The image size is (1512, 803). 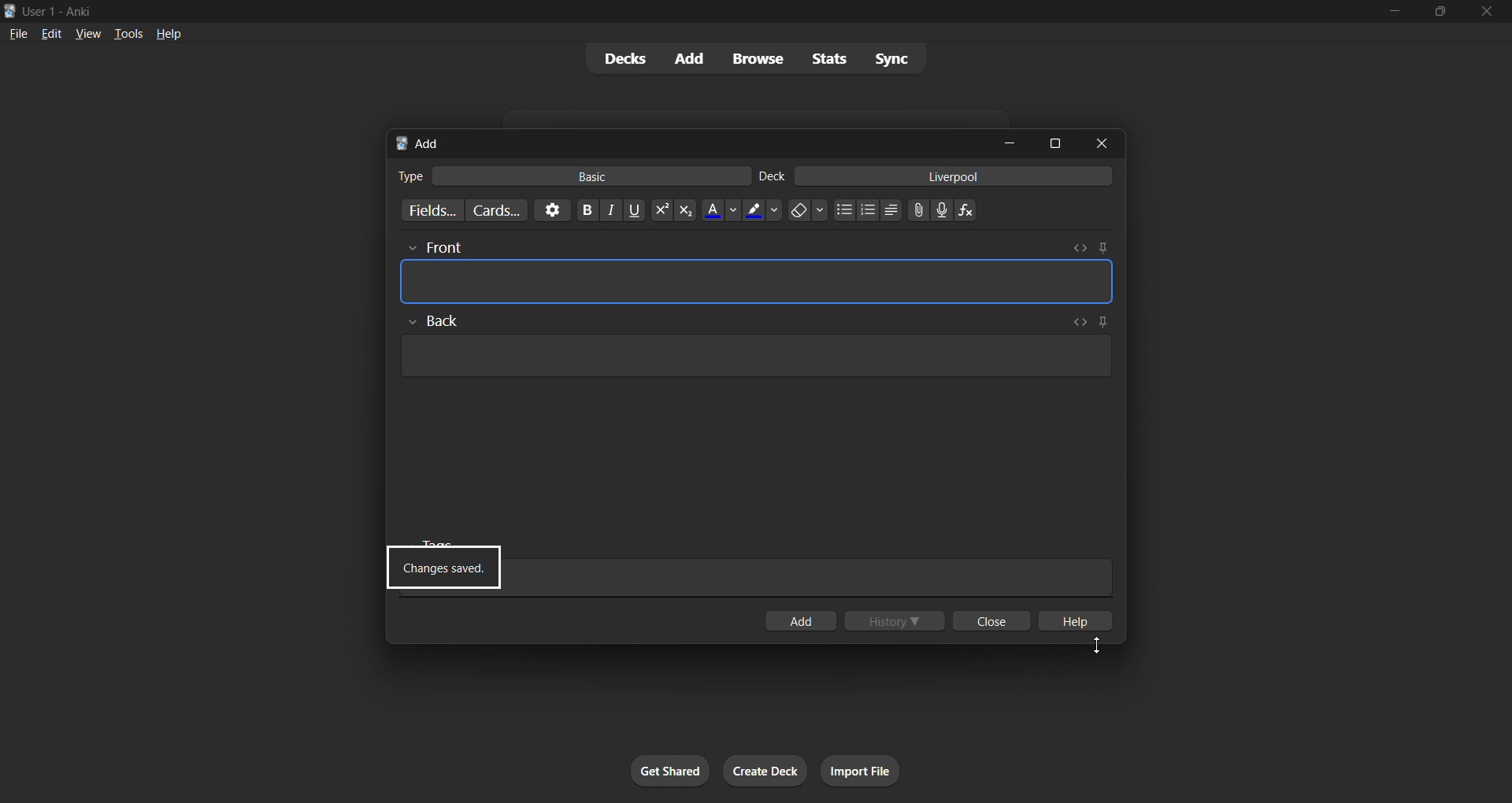 I want to click on change, so click(x=1079, y=244).